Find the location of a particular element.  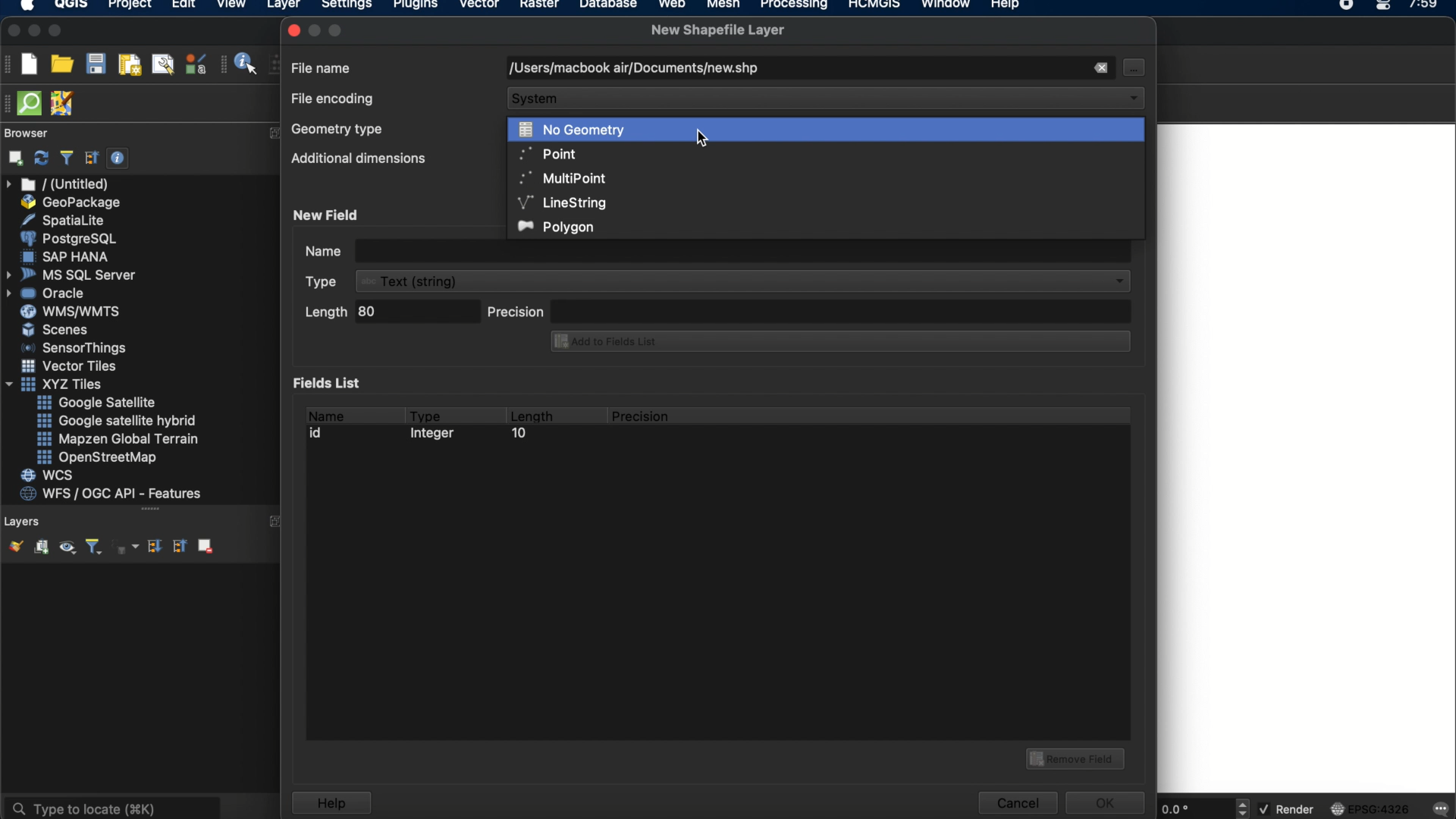

apple logo is located at coordinates (25, 6).